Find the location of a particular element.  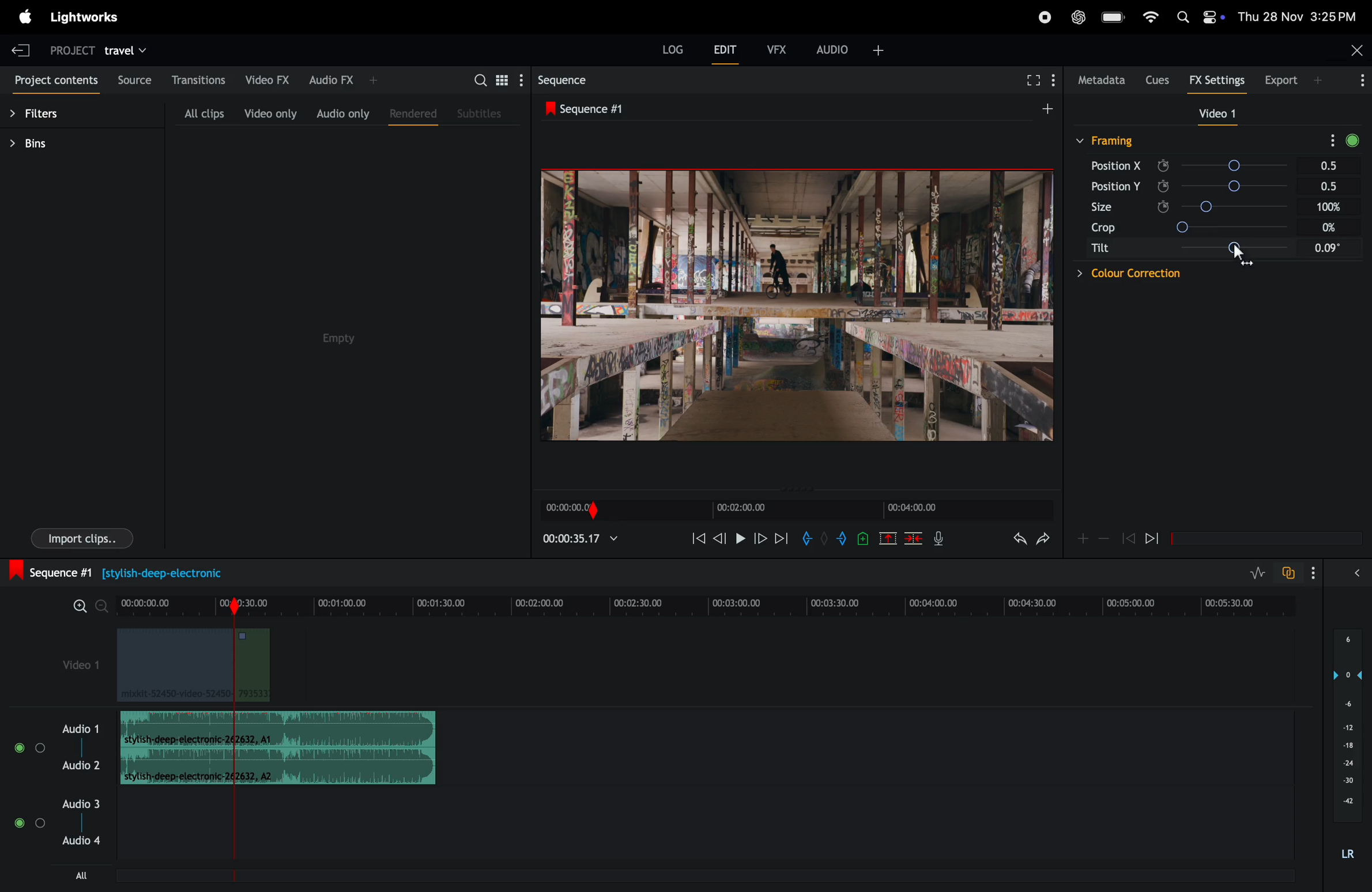

toggle bypass is located at coordinates (1352, 138).